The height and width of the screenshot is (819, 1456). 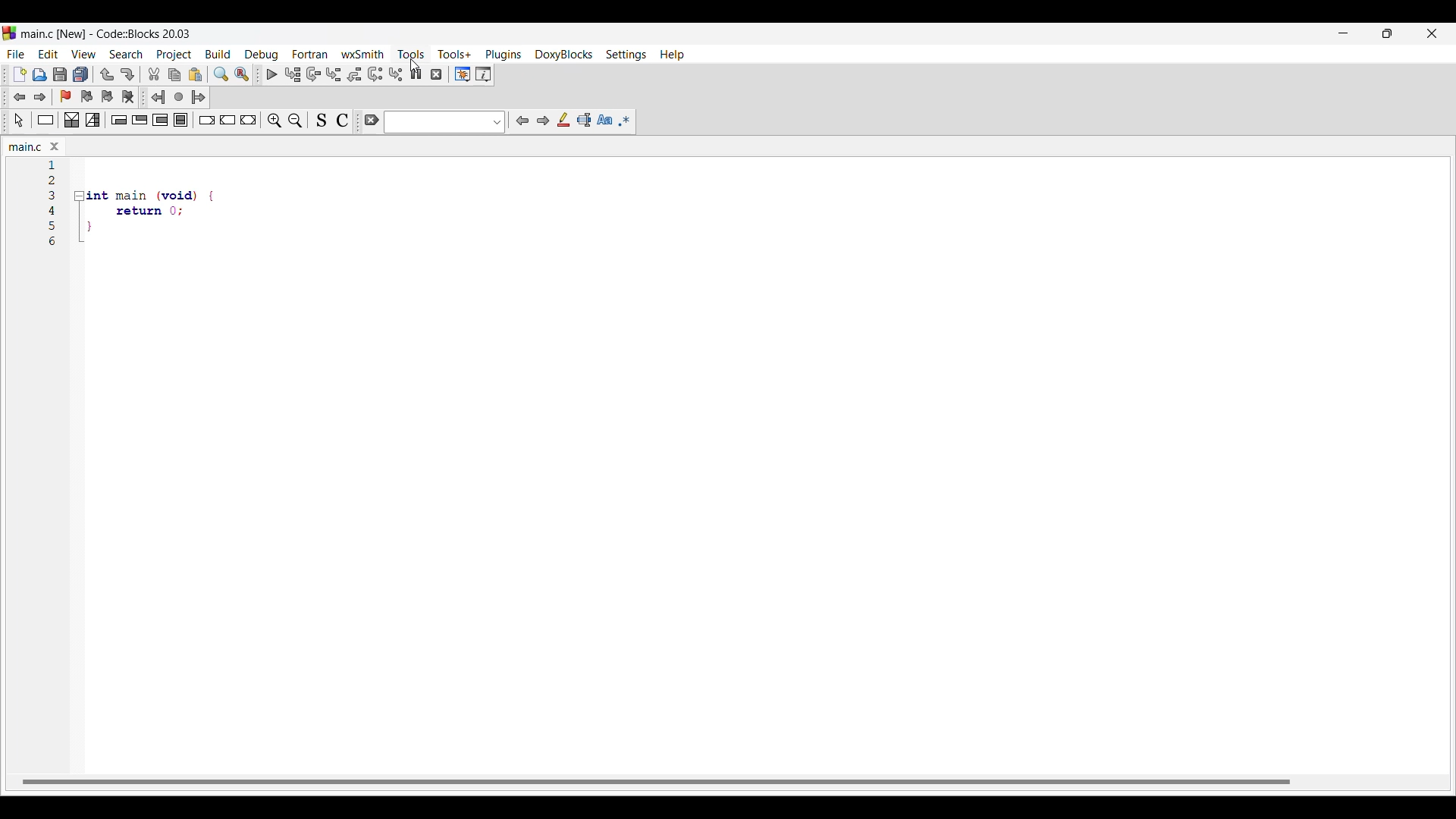 What do you see at coordinates (397, 74) in the screenshot?
I see `Step into instruction` at bounding box center [397, 74].